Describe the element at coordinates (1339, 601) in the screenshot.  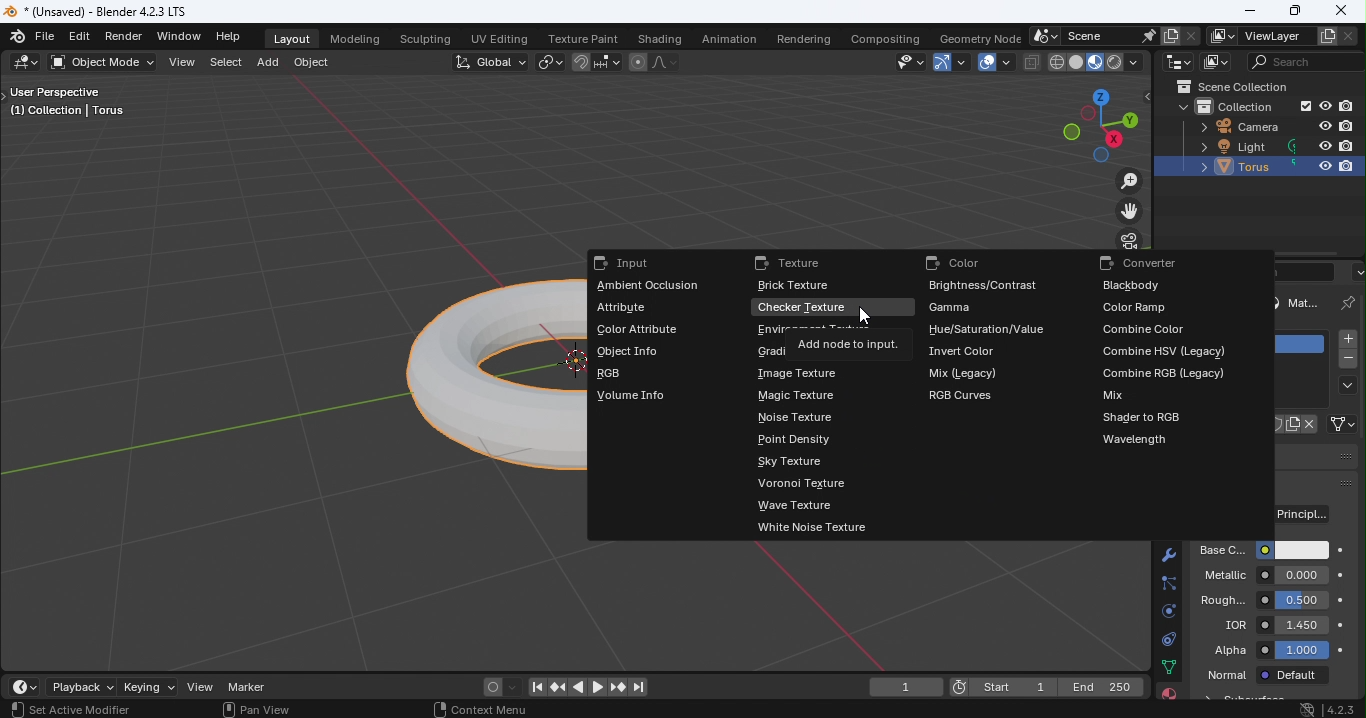
I see `Animate property` at that location.